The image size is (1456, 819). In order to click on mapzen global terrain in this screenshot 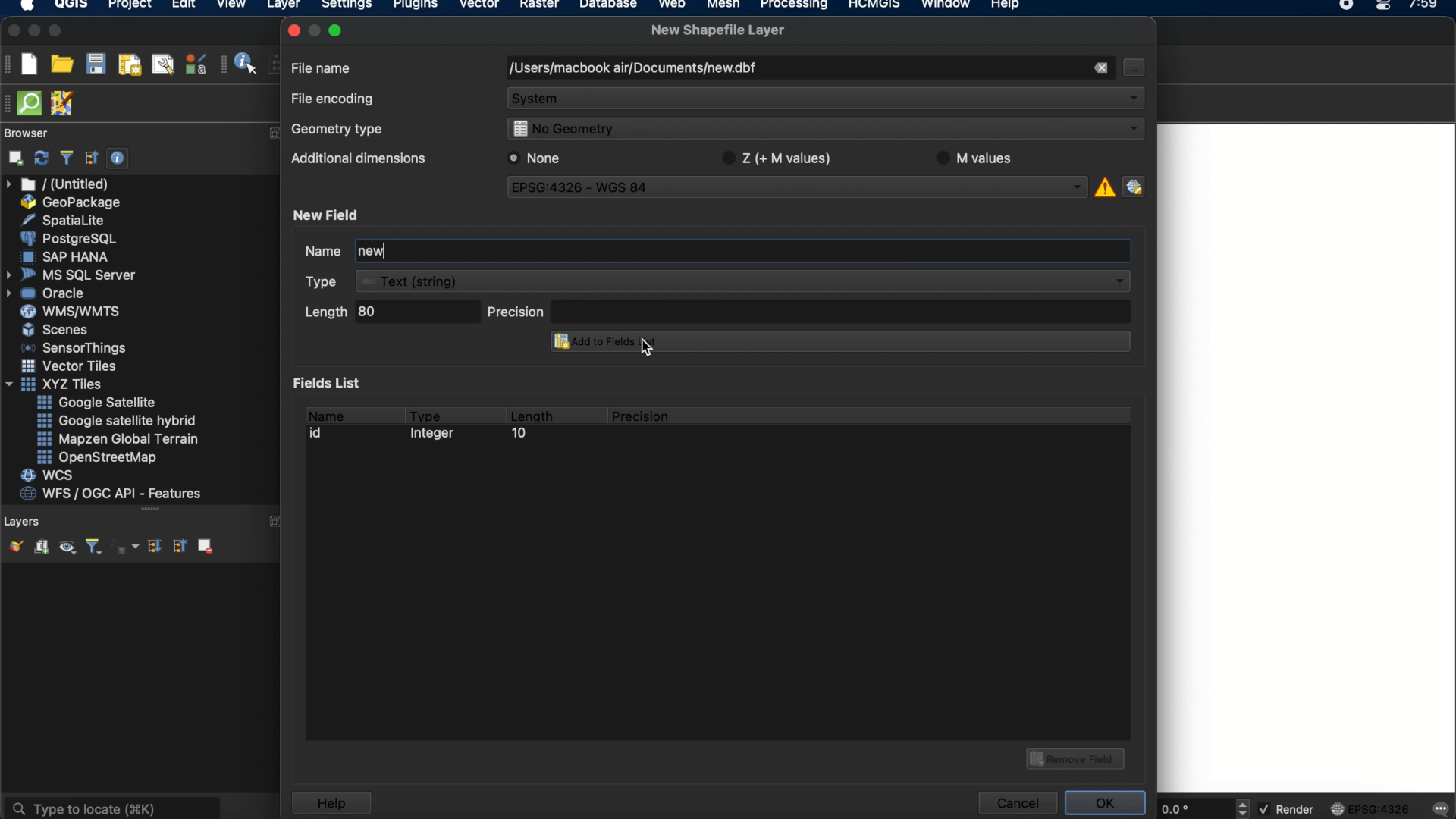, I will do `click(118, 439)`.